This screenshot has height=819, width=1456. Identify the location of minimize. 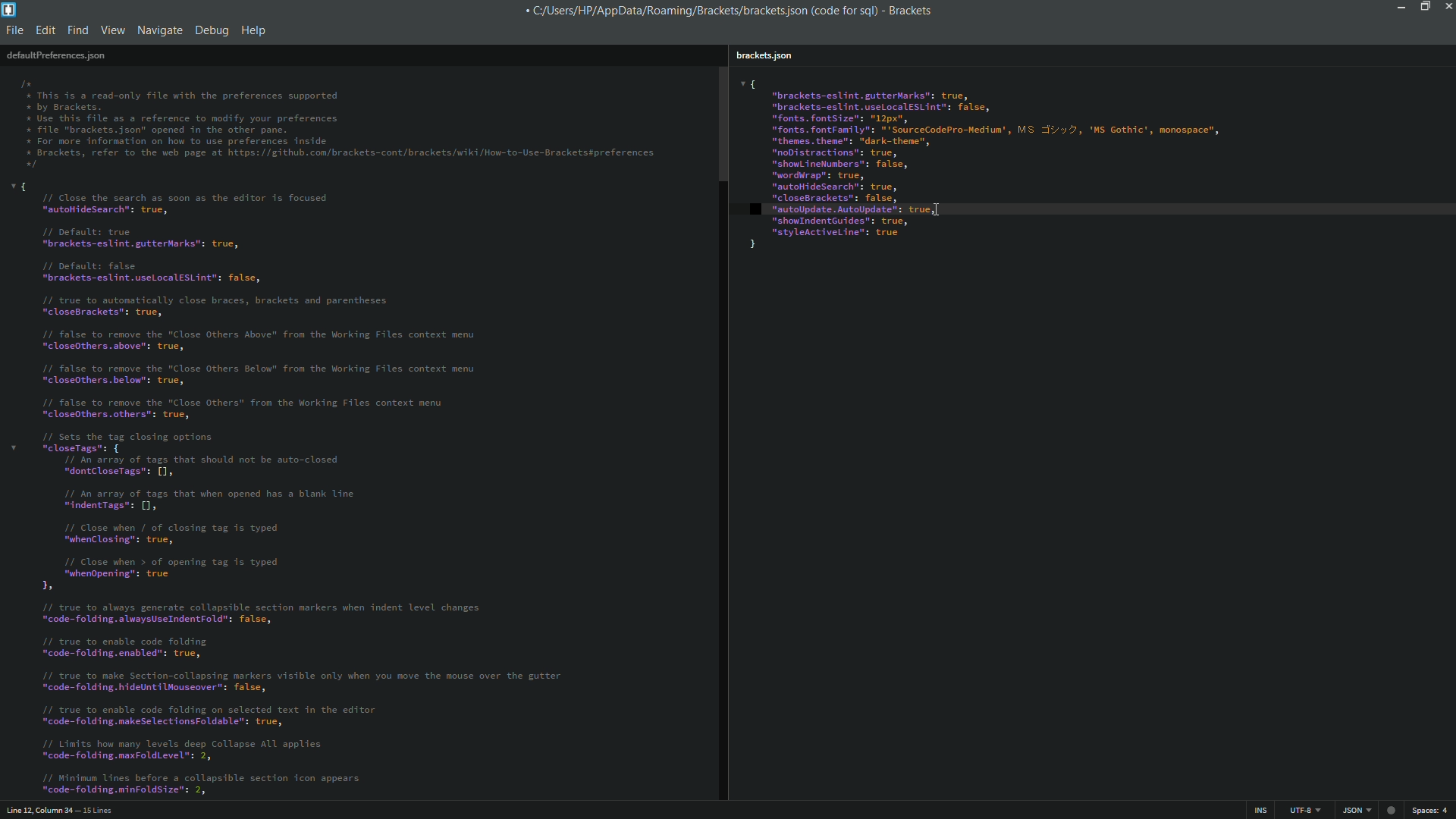
(1401, 8).